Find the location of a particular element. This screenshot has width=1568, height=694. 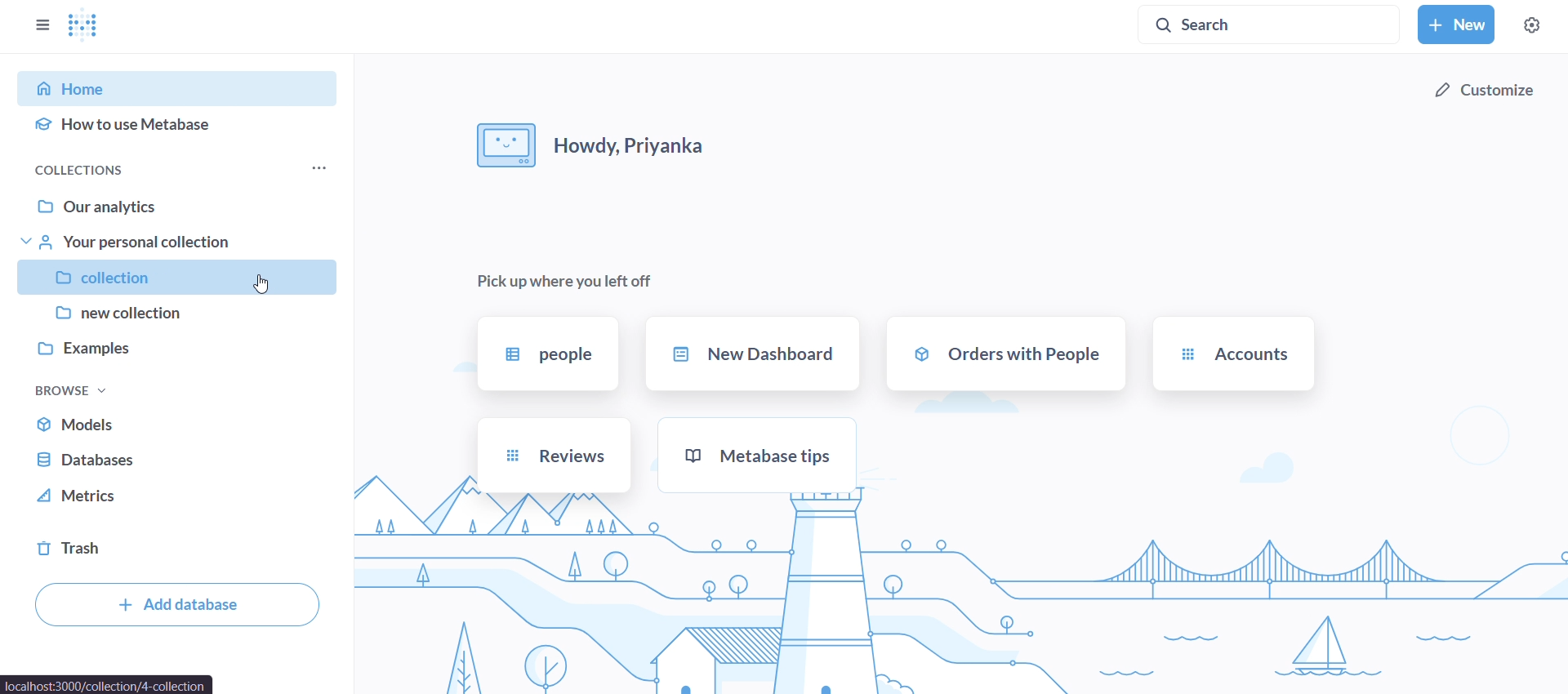

new is located at coordinates (1457, 24).